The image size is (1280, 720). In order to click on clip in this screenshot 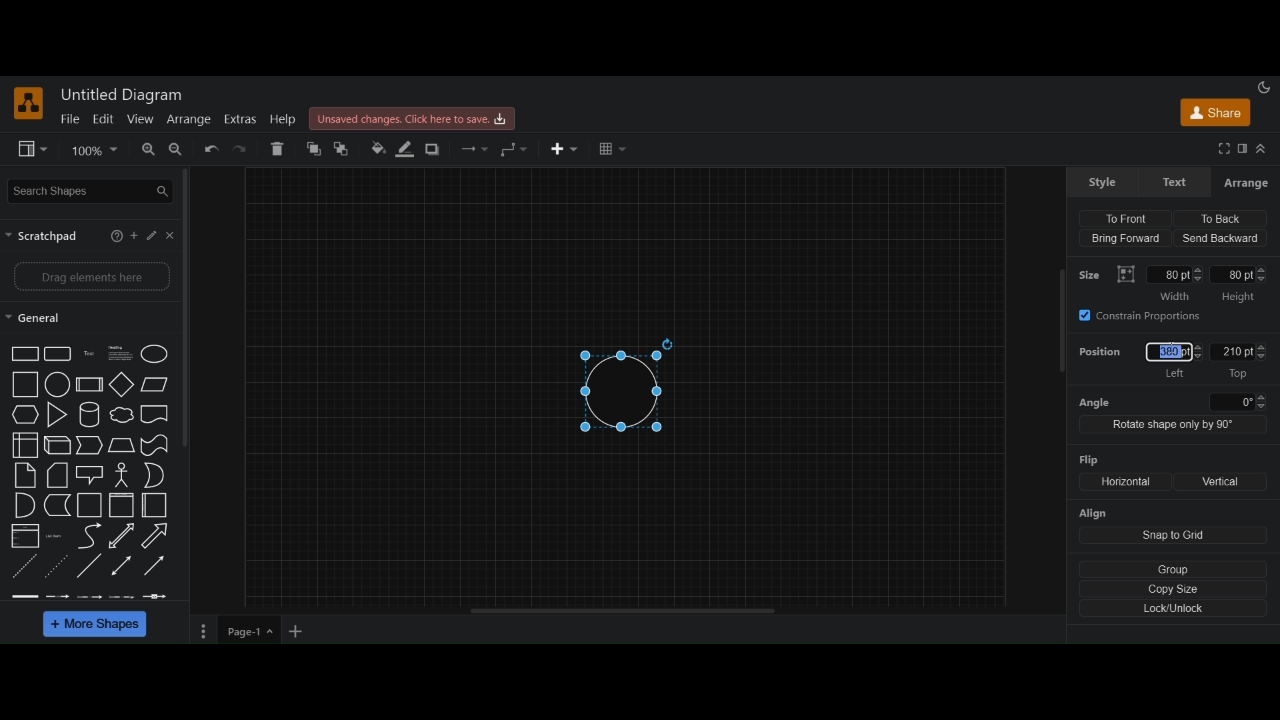, I will do `click(25, 535)`.